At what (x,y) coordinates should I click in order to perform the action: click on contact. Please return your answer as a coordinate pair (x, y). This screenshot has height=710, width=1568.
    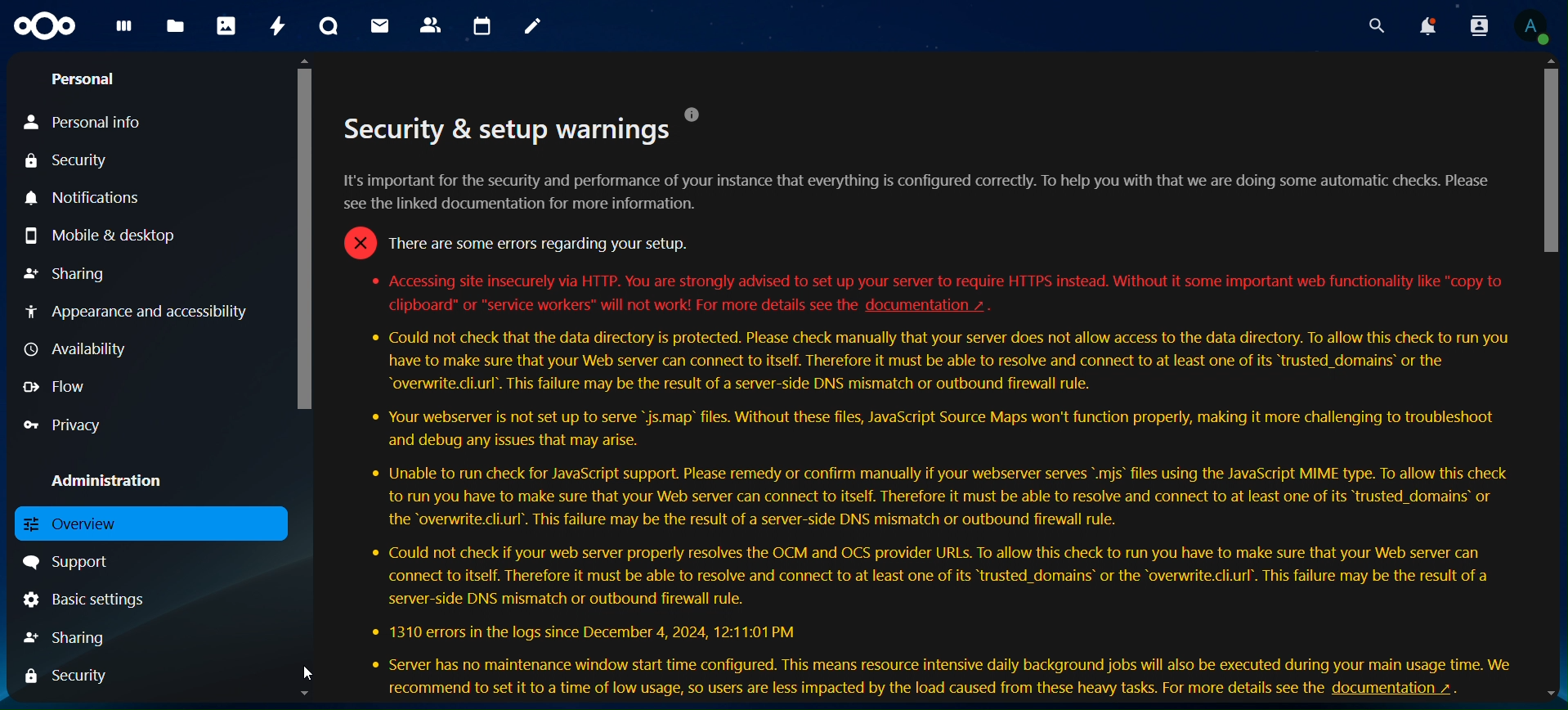
    Looking at the image, I should click on (432, 25).